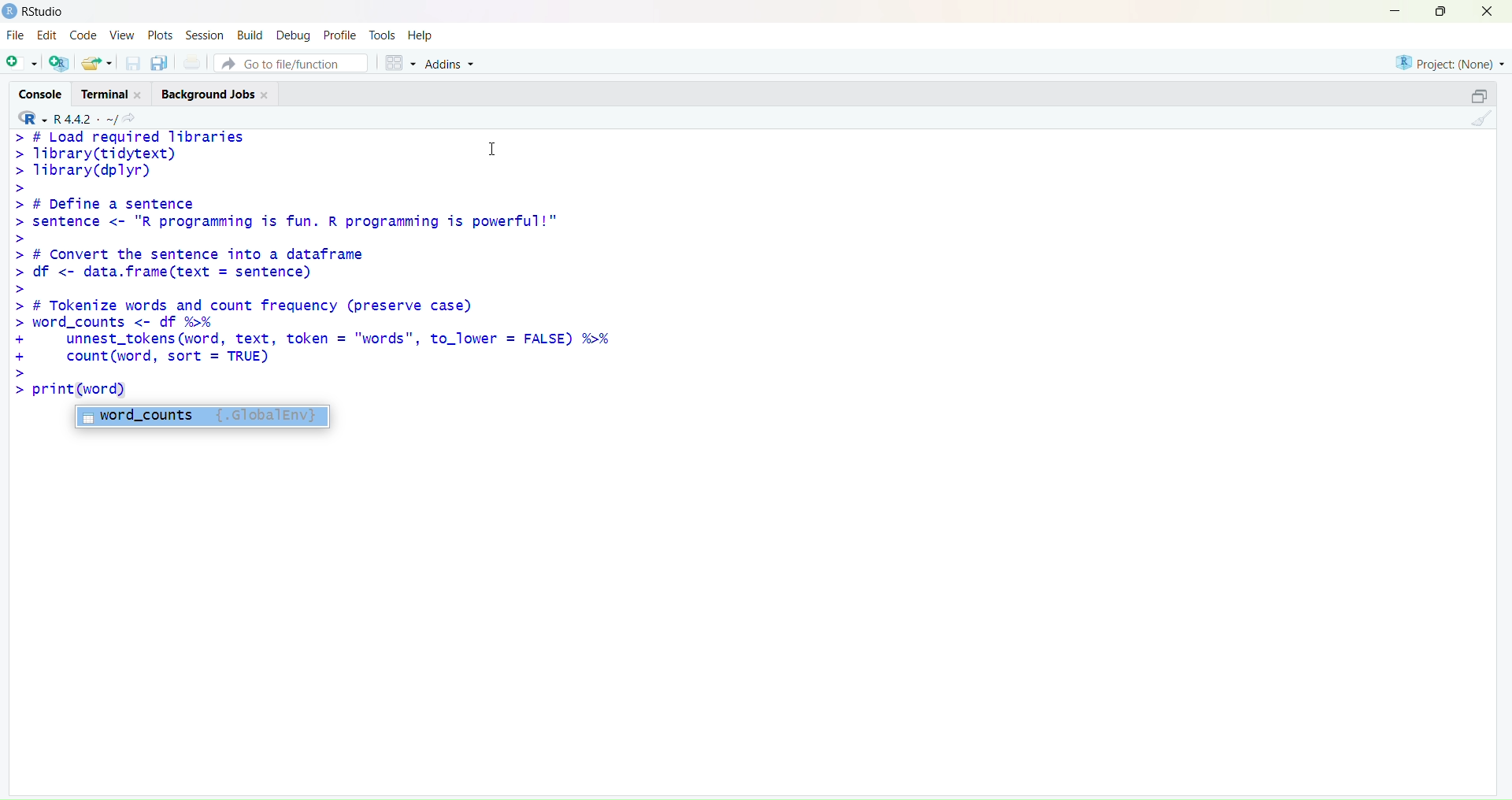  Describe the element at coordinates (49, 35) in the screenshot. I see `Edit` at that location.